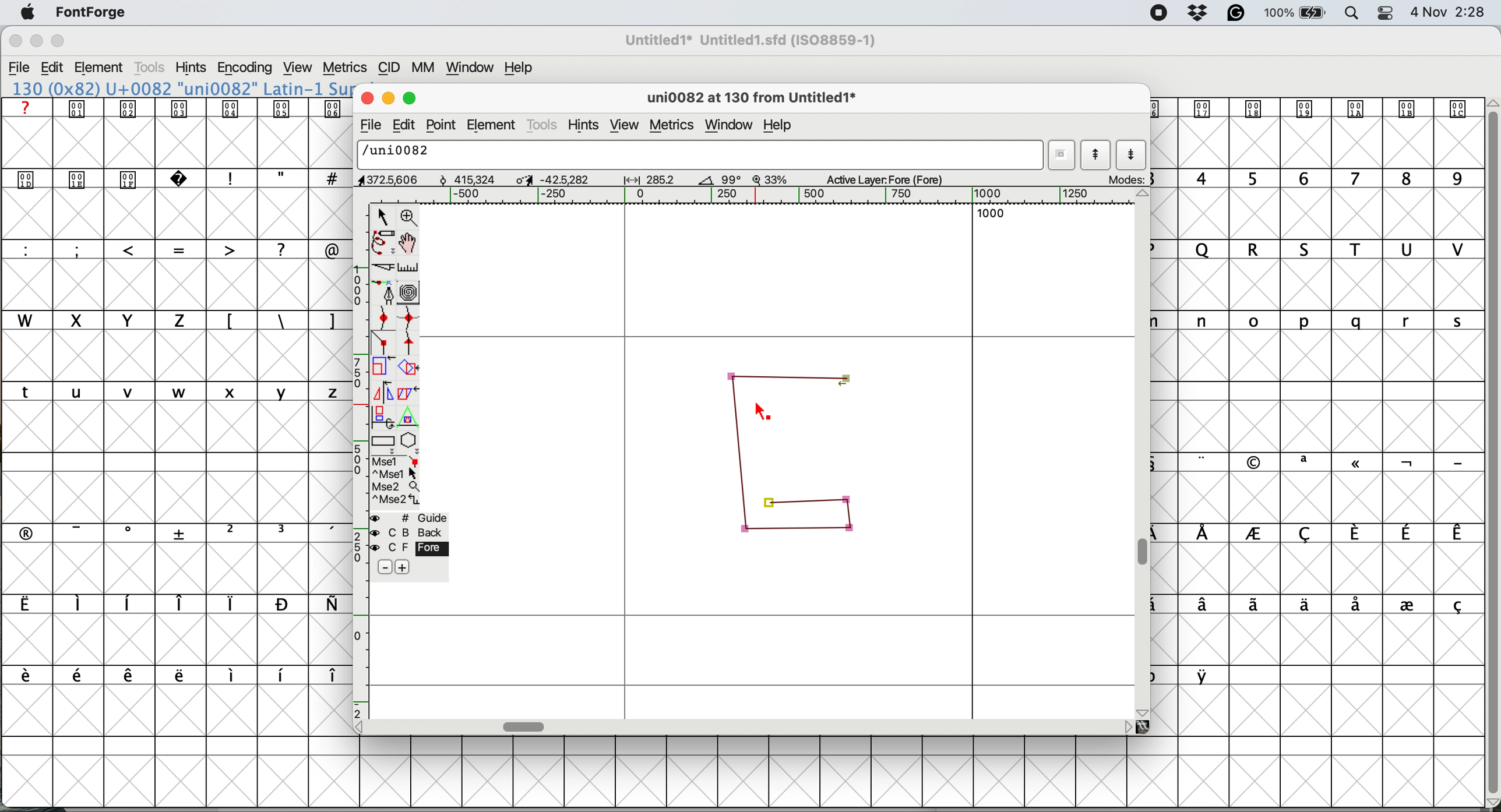 The height and width of the screenshot is (812, 1501). Describe the element at coordinates (764, 414) in the screenshot. I see `cursor` at that location.